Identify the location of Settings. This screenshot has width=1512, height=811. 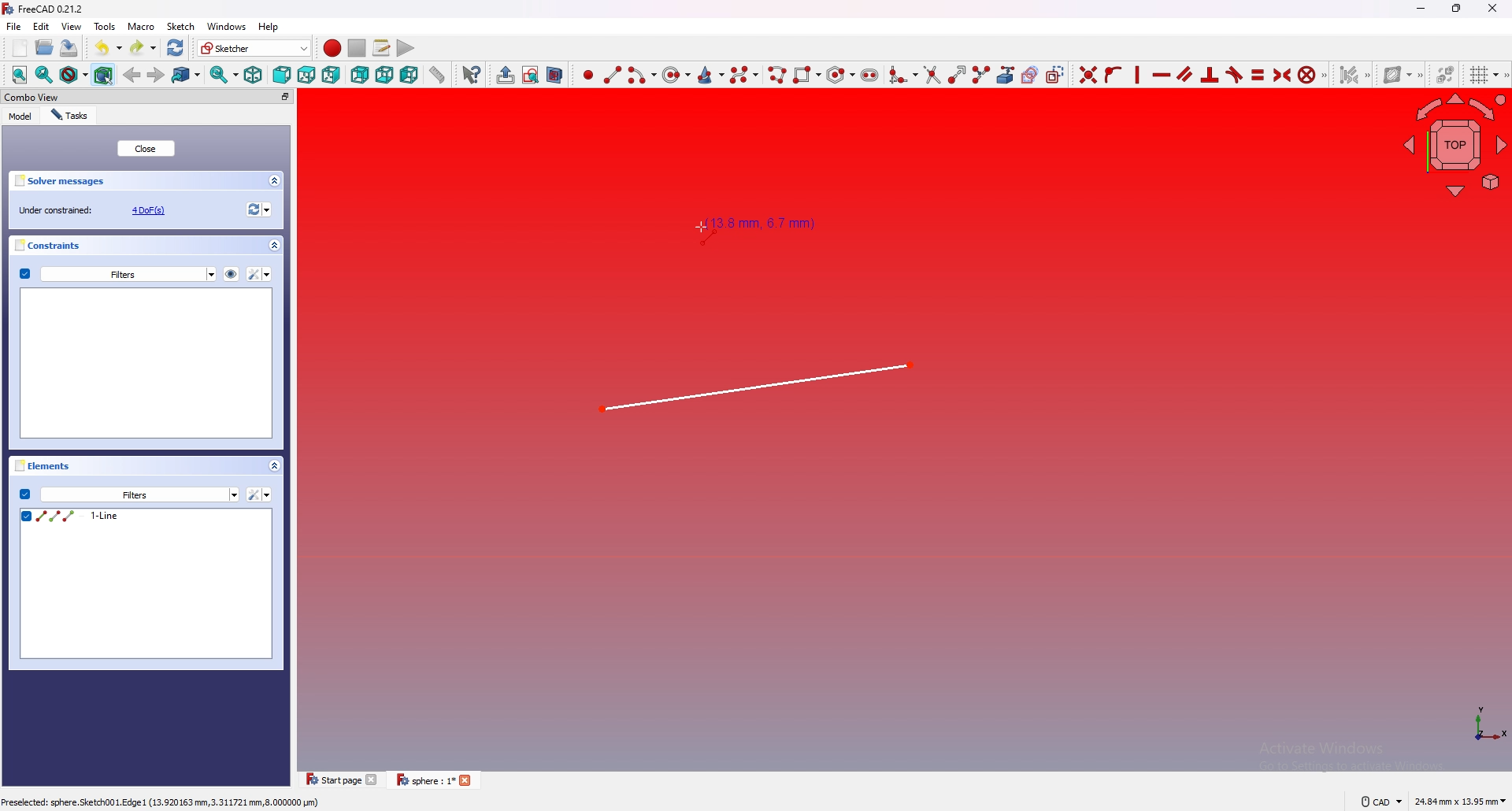
(260, 274).